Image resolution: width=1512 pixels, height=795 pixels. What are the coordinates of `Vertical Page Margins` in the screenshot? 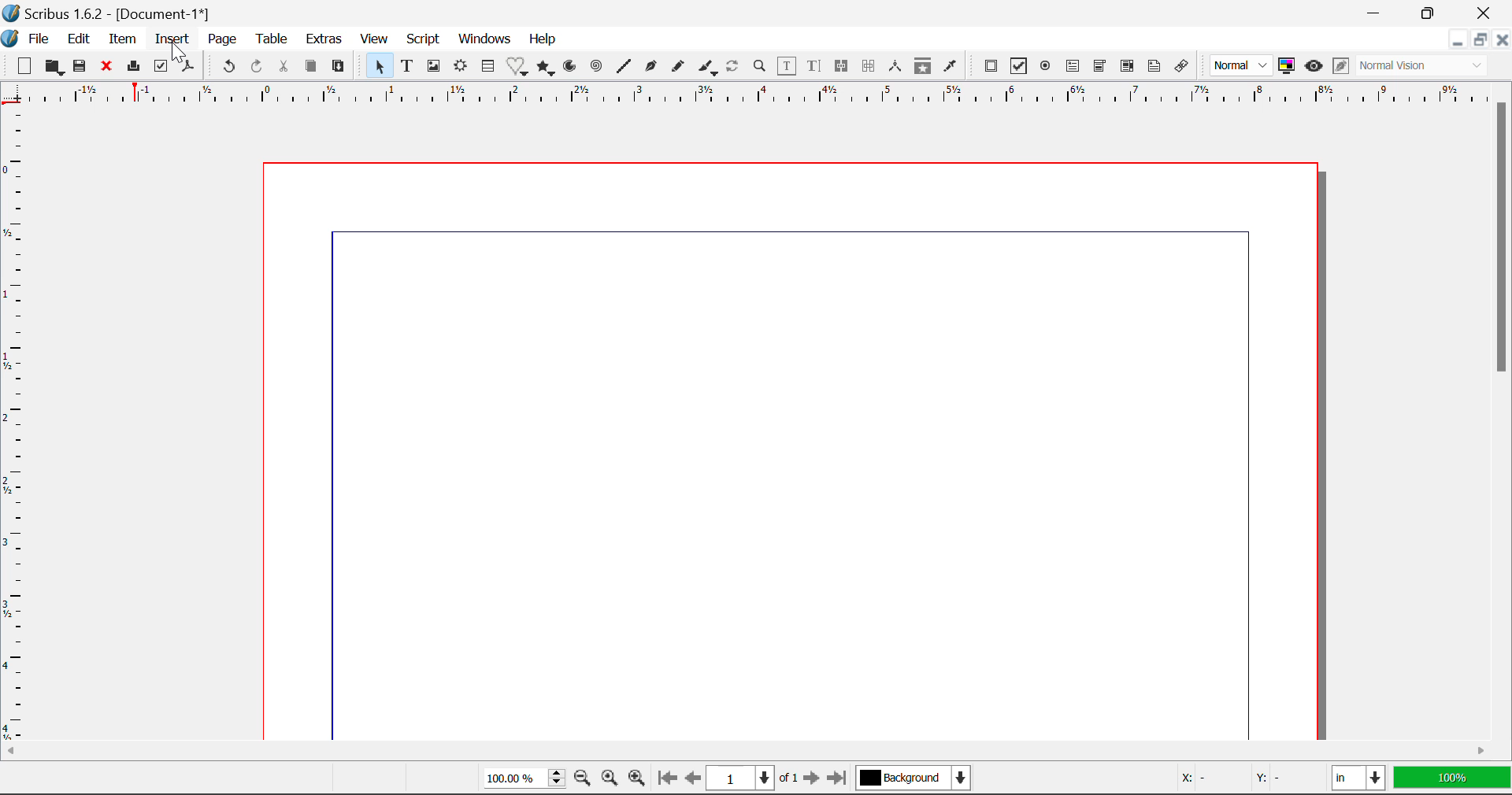 It's located at (743, 97).